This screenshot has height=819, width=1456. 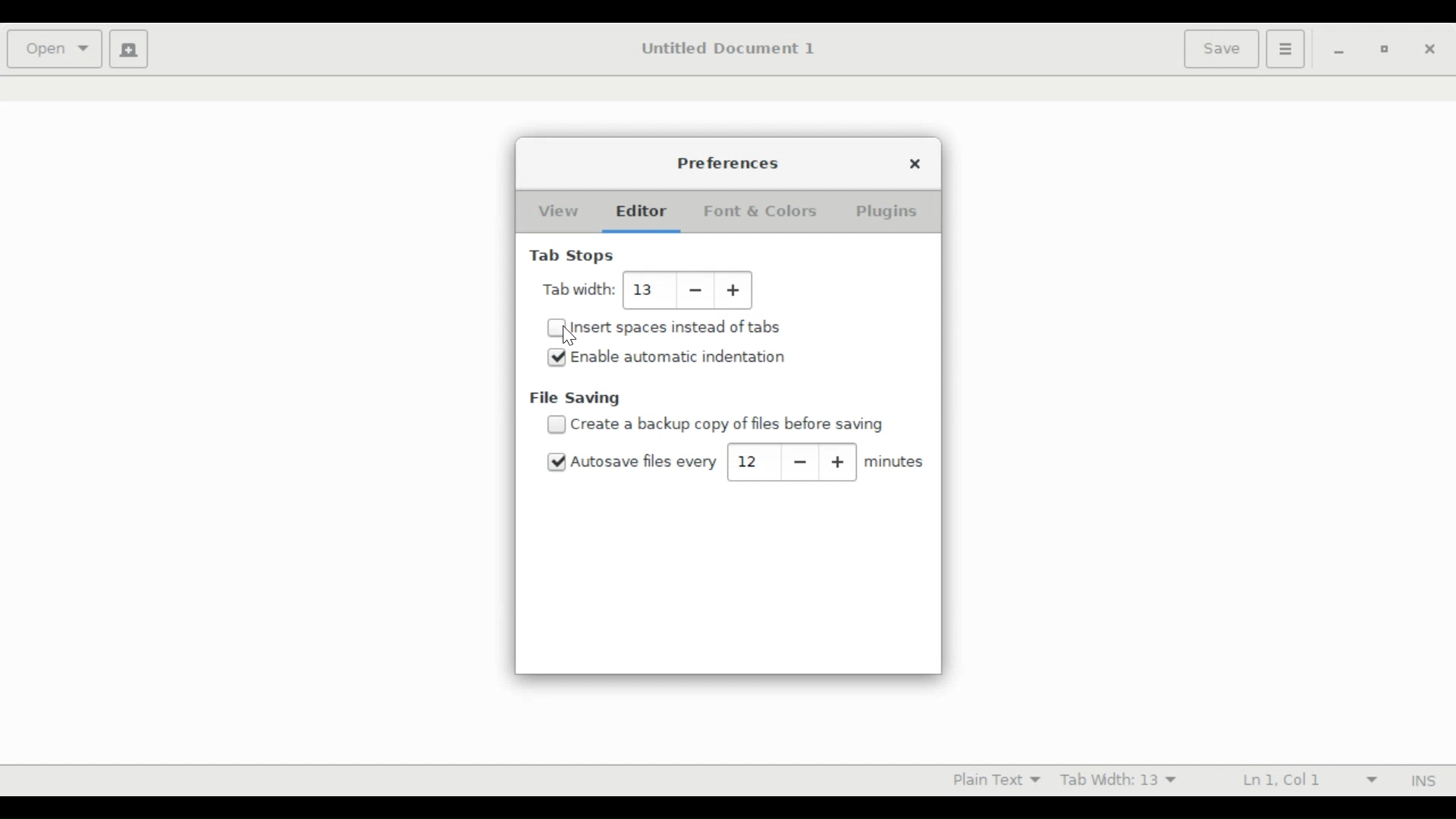 What do you see at coordinates (556, 212) in the screenshot?
I see `View` at bounding box center [556, 212].